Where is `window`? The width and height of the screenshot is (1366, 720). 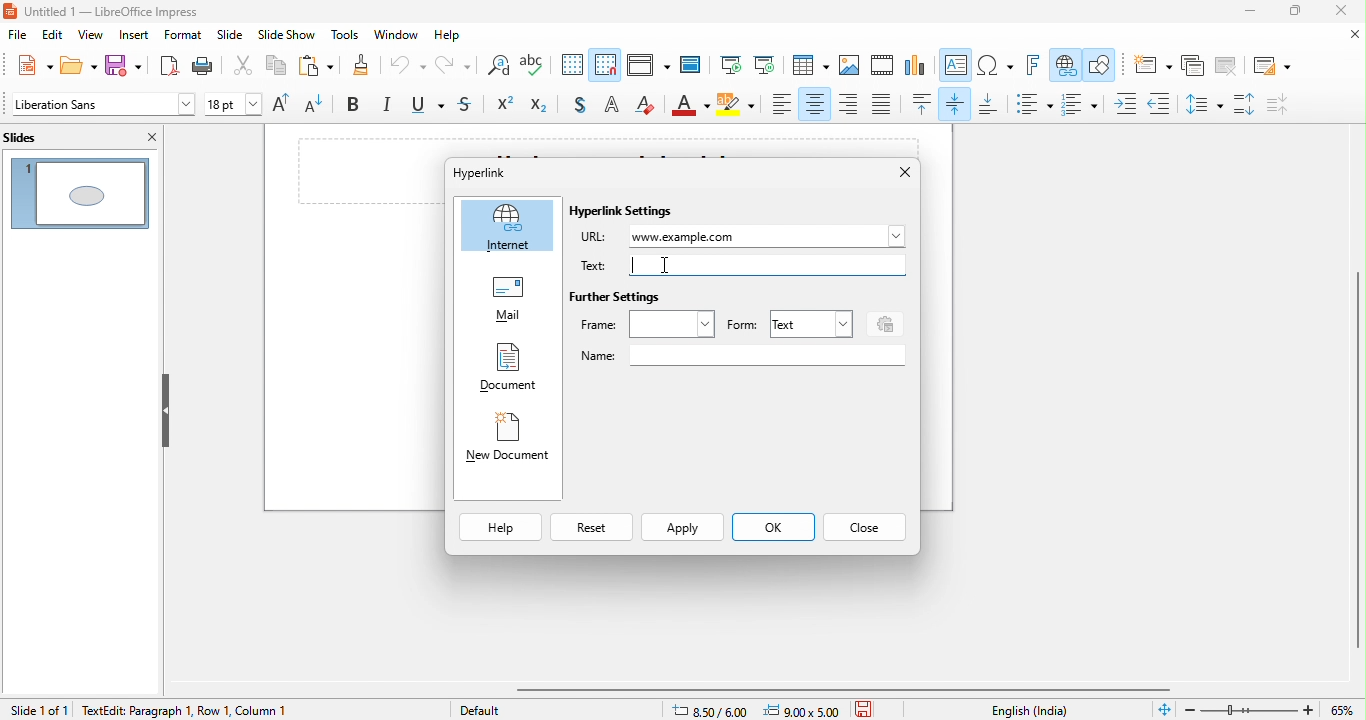 window is located at coordinates (399, 35).